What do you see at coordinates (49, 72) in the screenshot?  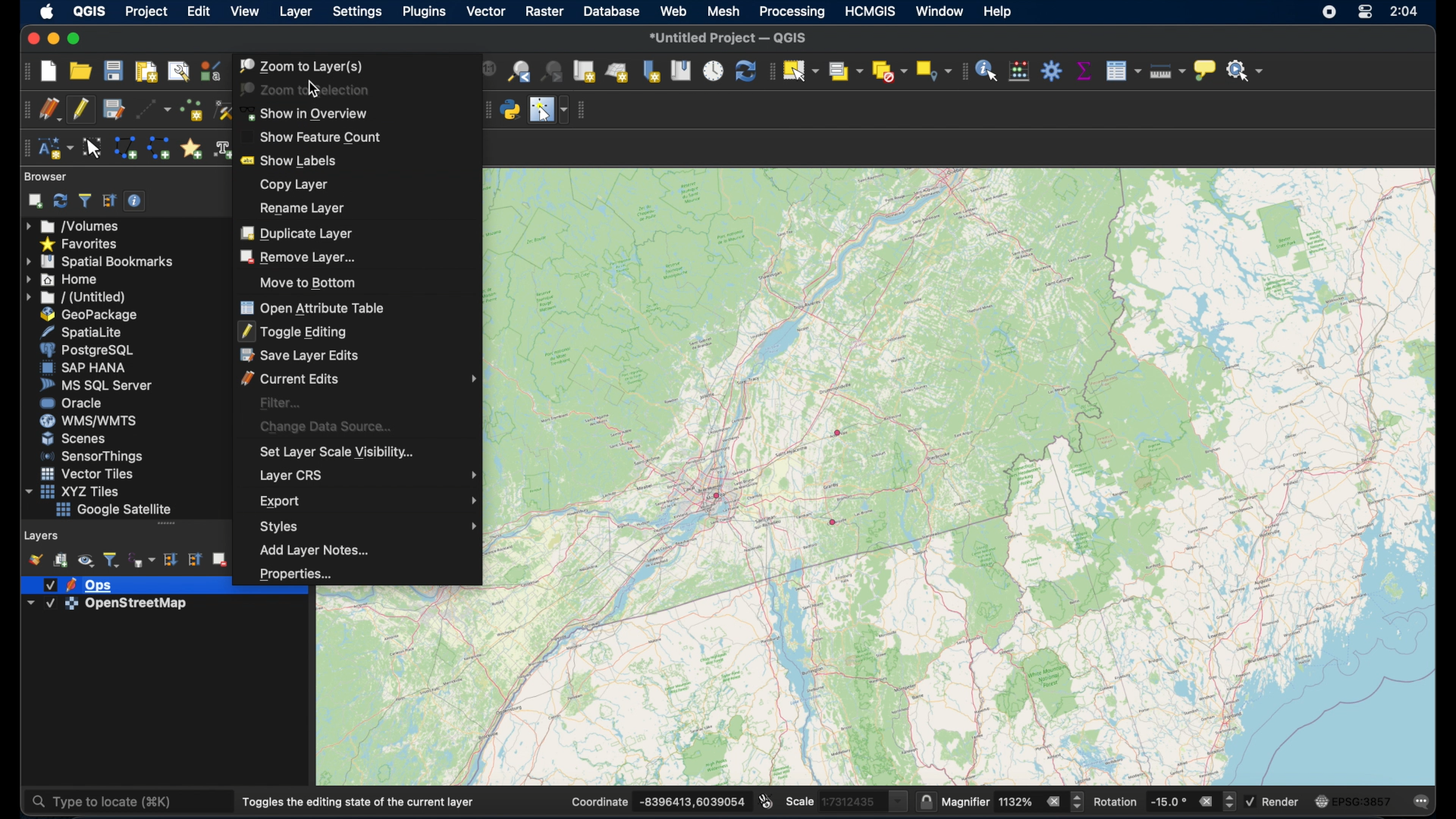 I see `new project` at bounding box center [49, 72].